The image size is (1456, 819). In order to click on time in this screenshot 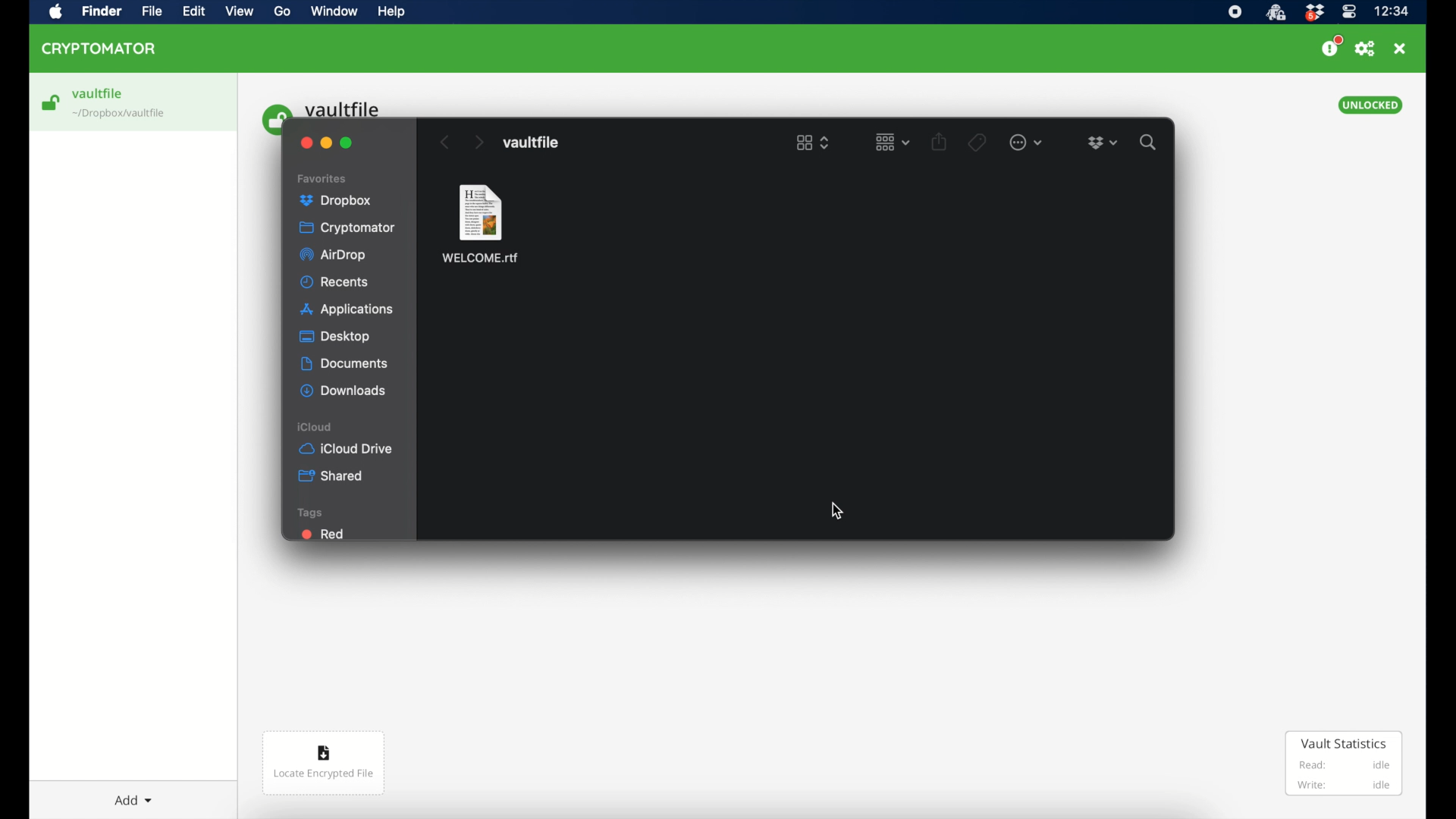, I will do `click(1393, 11)`.